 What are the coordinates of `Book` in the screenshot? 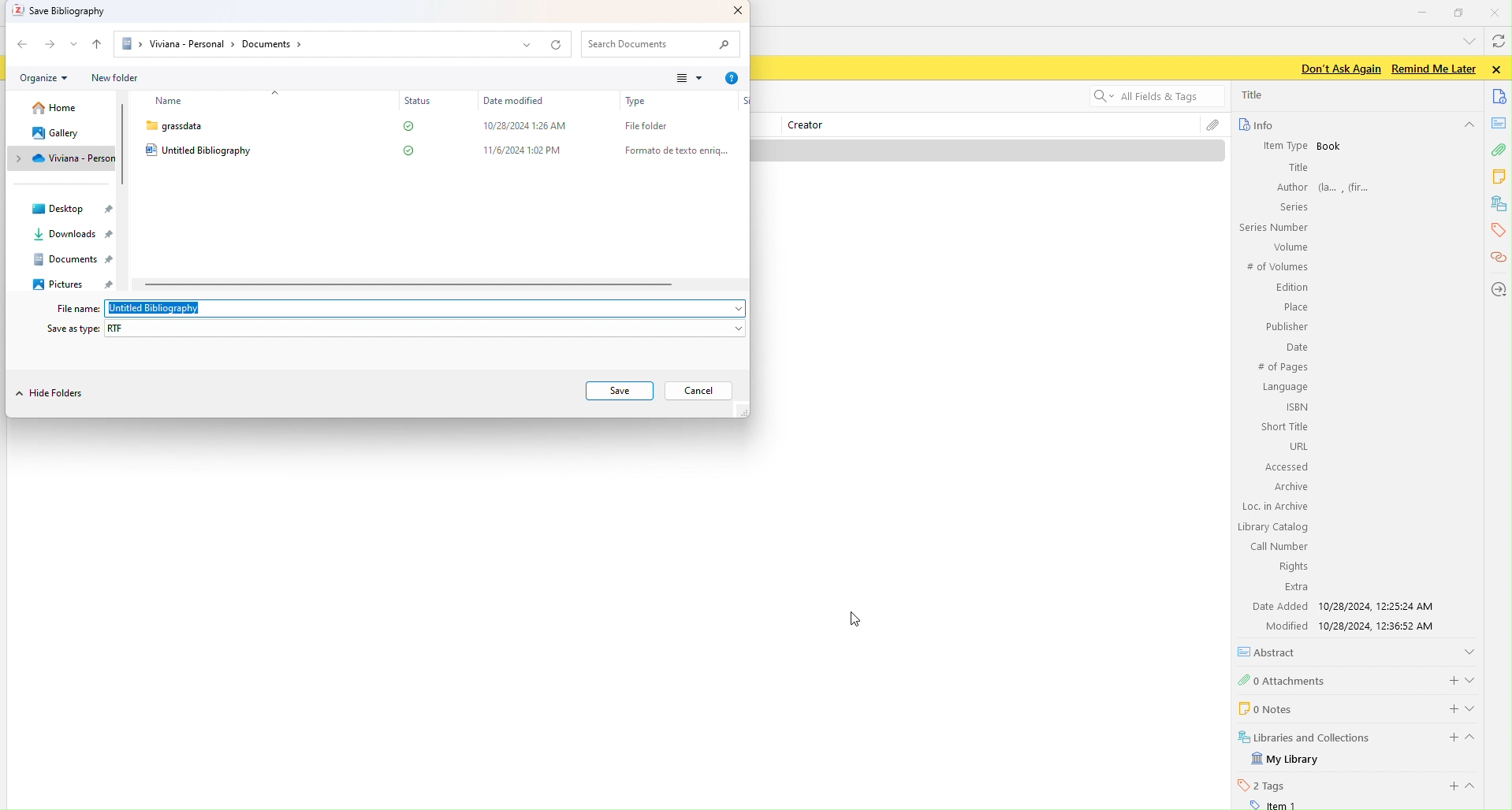 It's located at (1330, 147).